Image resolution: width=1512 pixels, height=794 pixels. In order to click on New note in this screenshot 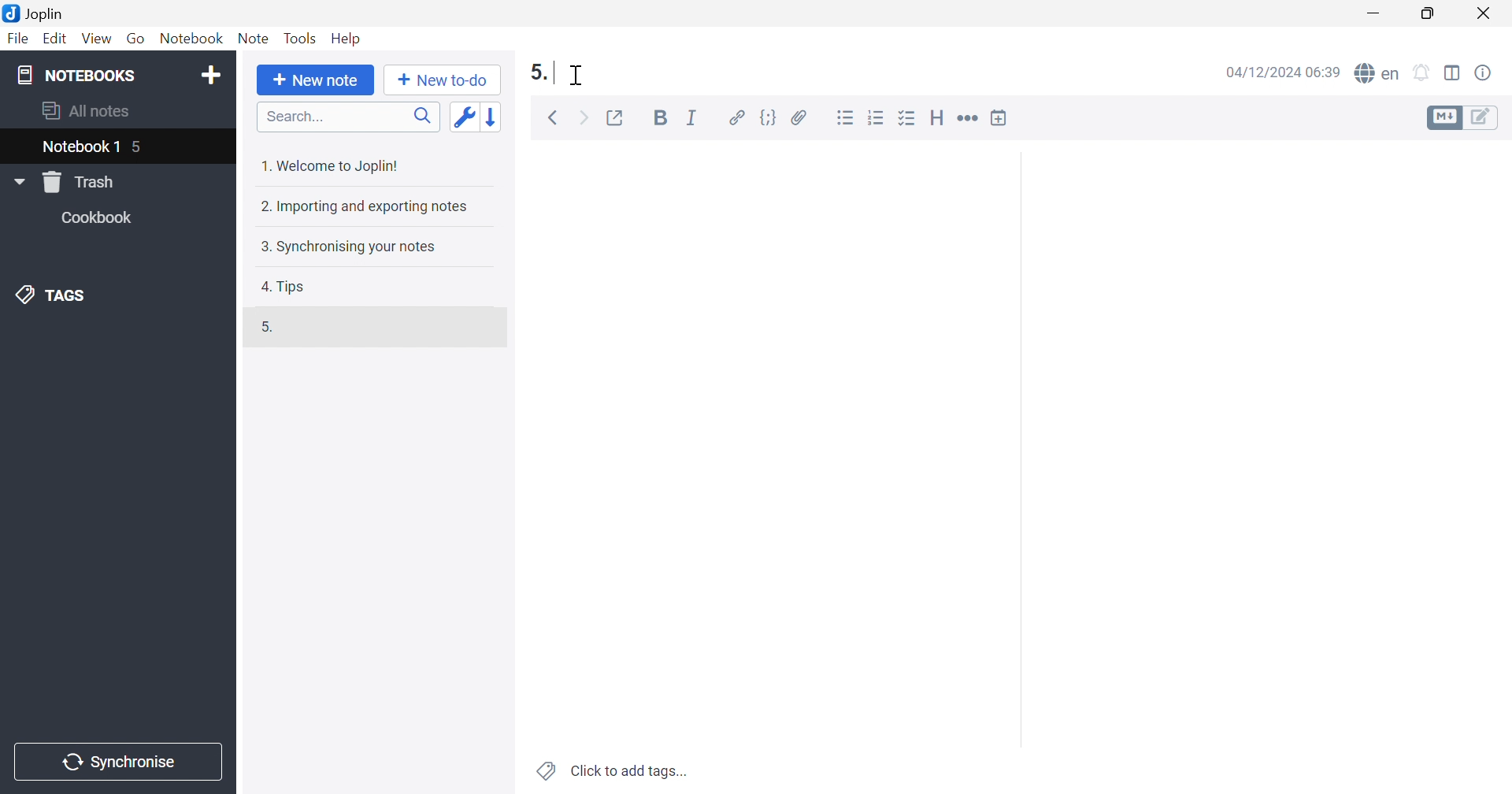, I will do `click(316, 80)`.